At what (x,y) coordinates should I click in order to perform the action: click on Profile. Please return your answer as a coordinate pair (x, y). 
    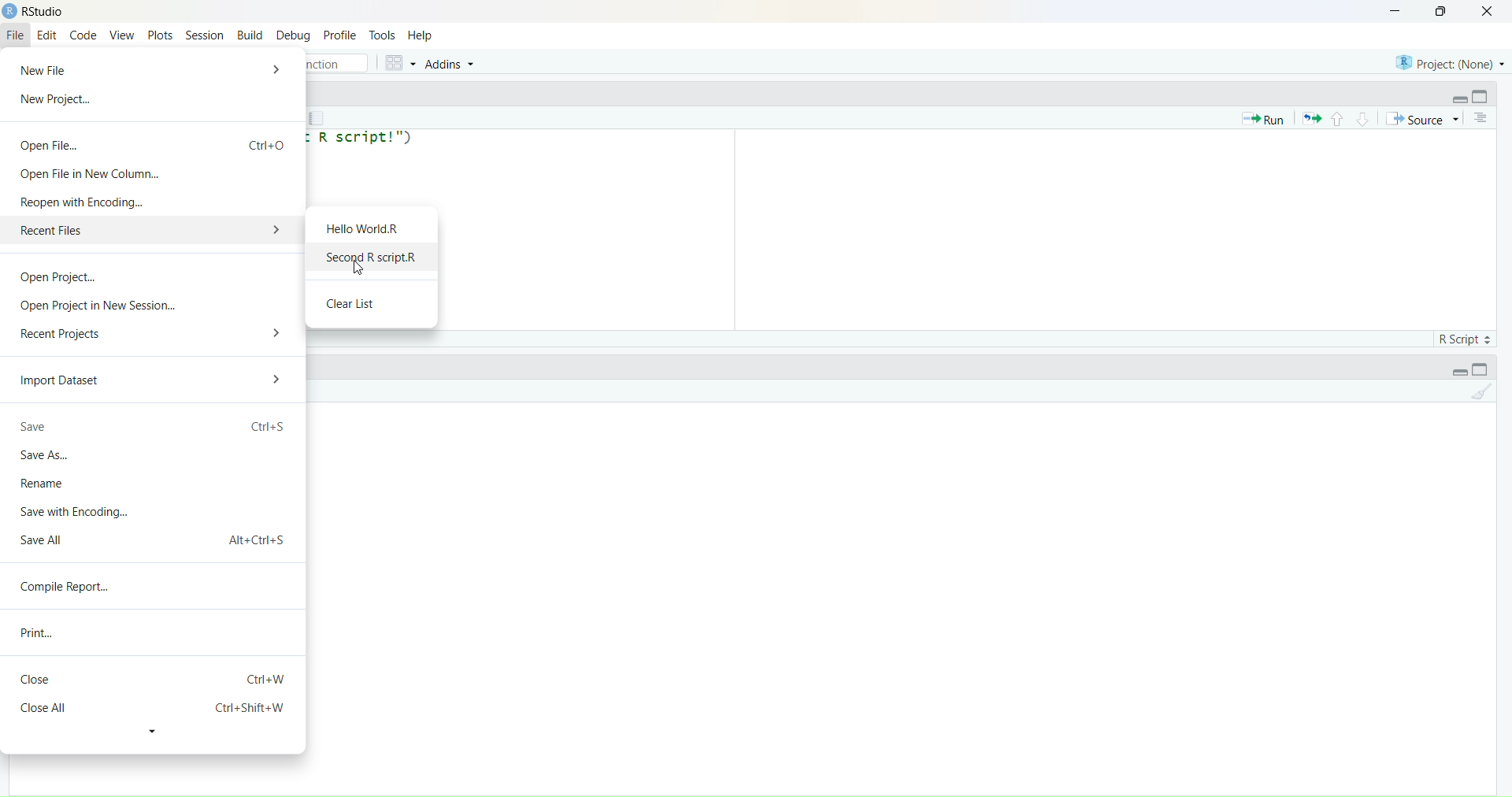
    Looking at the image, I should click on (339, 35).